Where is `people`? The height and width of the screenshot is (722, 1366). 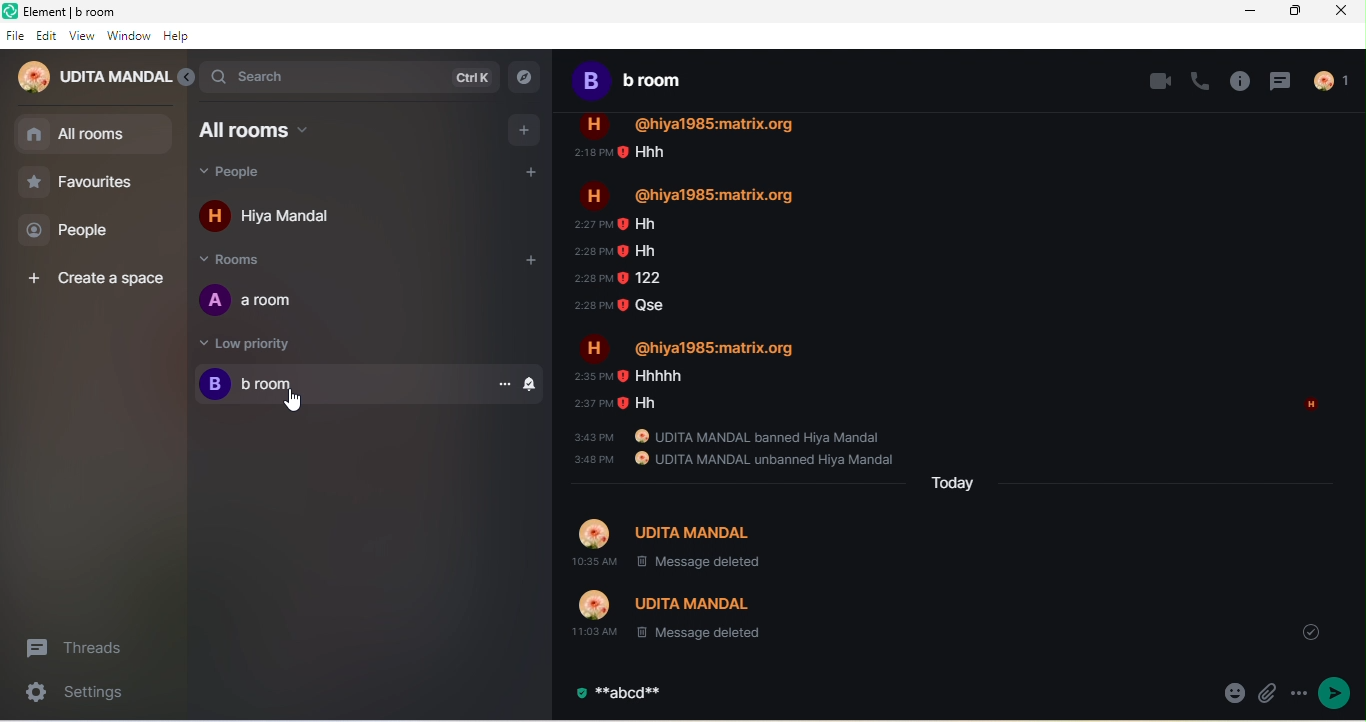 people is located at coordinates (254, 174).